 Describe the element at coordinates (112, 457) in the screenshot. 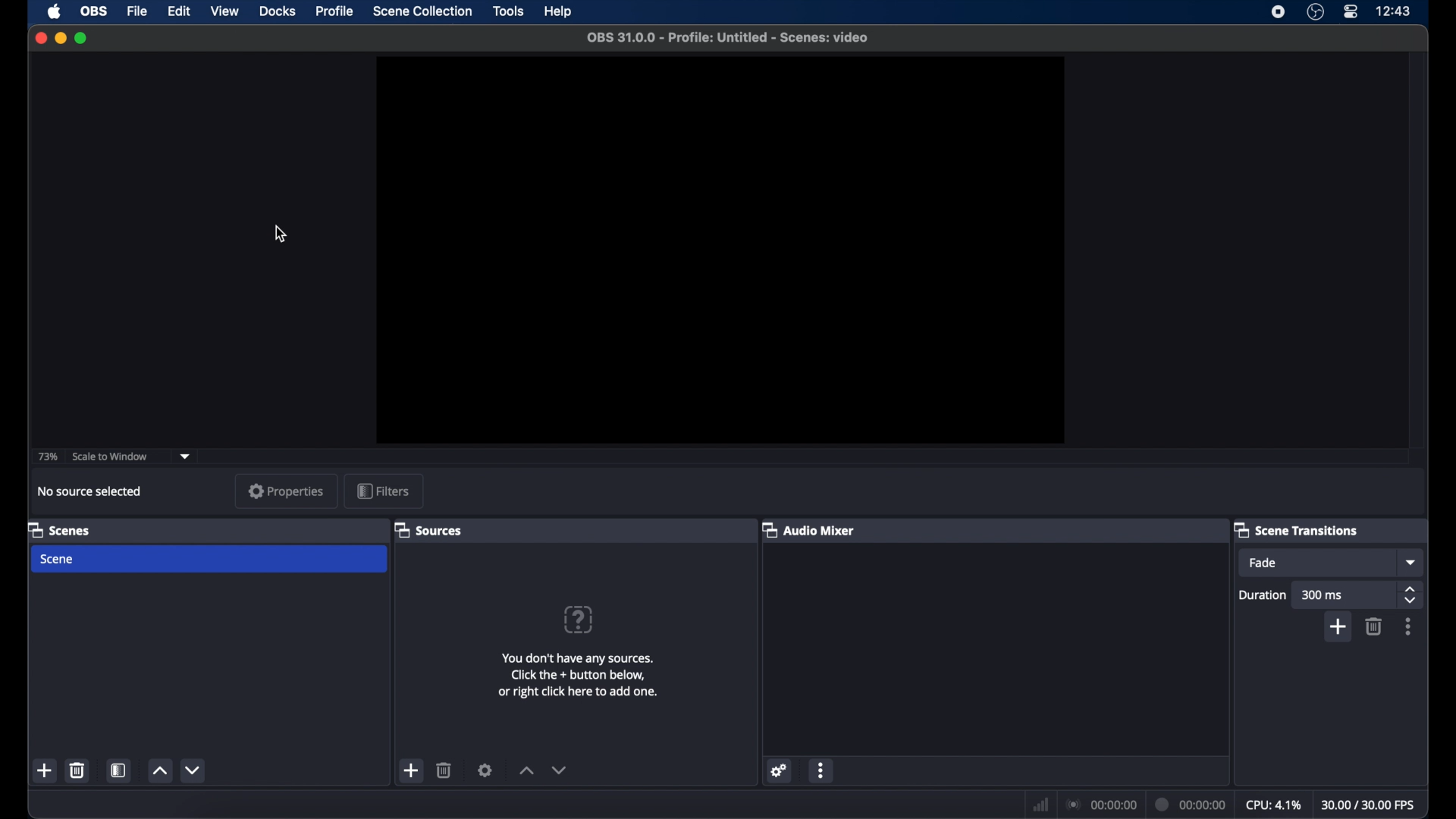

I see `scale to window` at that location.